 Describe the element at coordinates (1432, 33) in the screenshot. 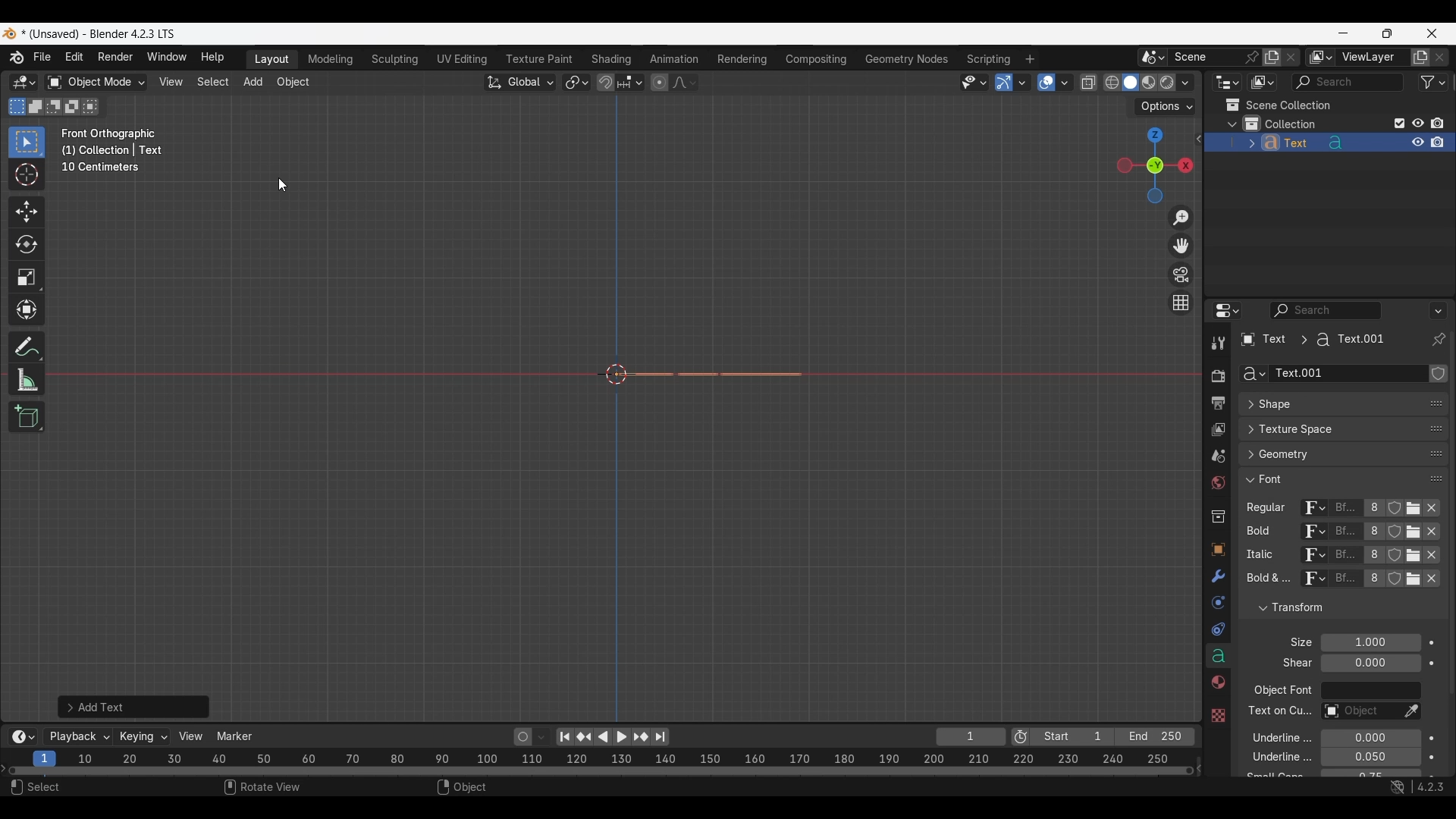

I see `Close interface` at that location.